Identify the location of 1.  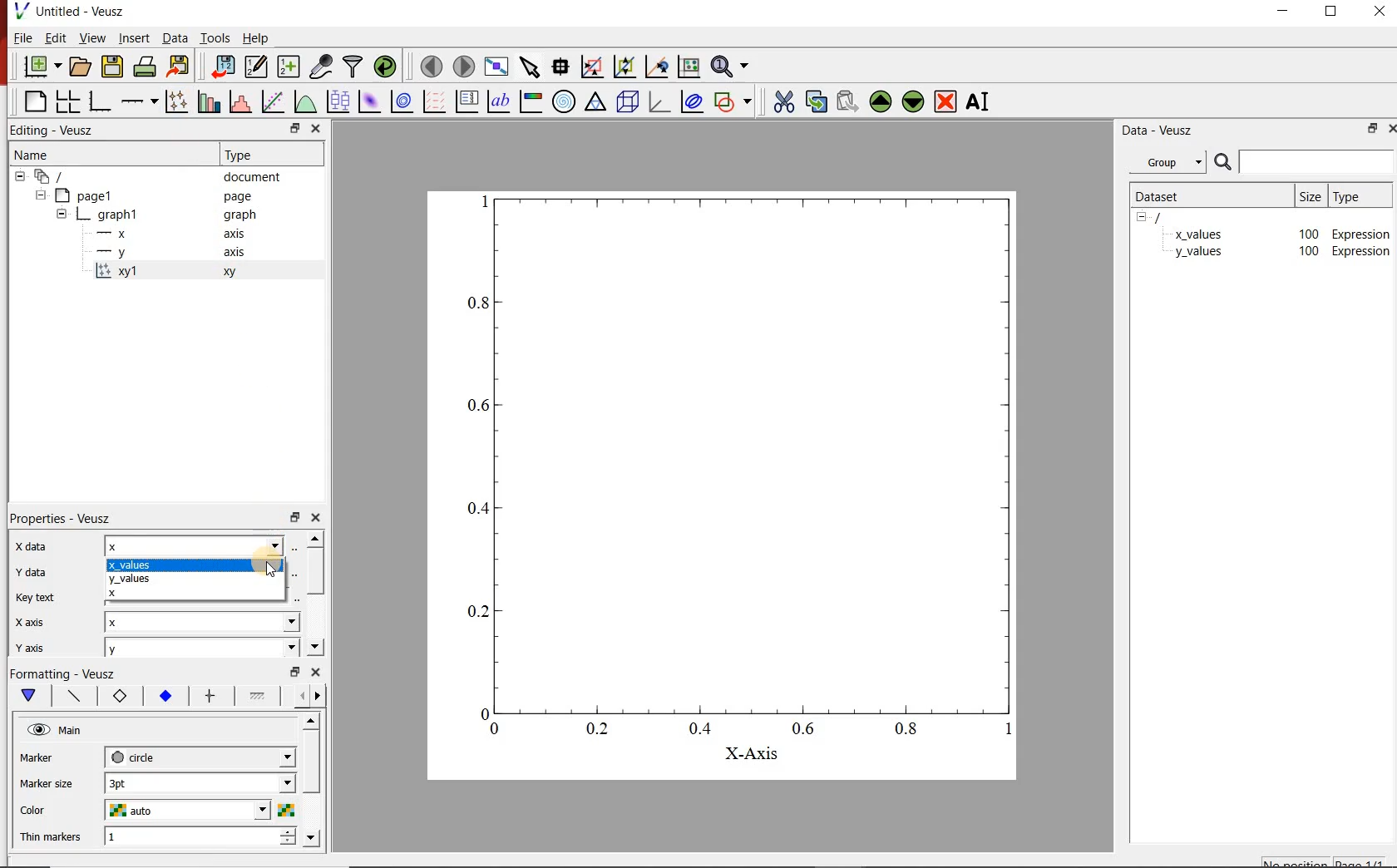
(203, 835).